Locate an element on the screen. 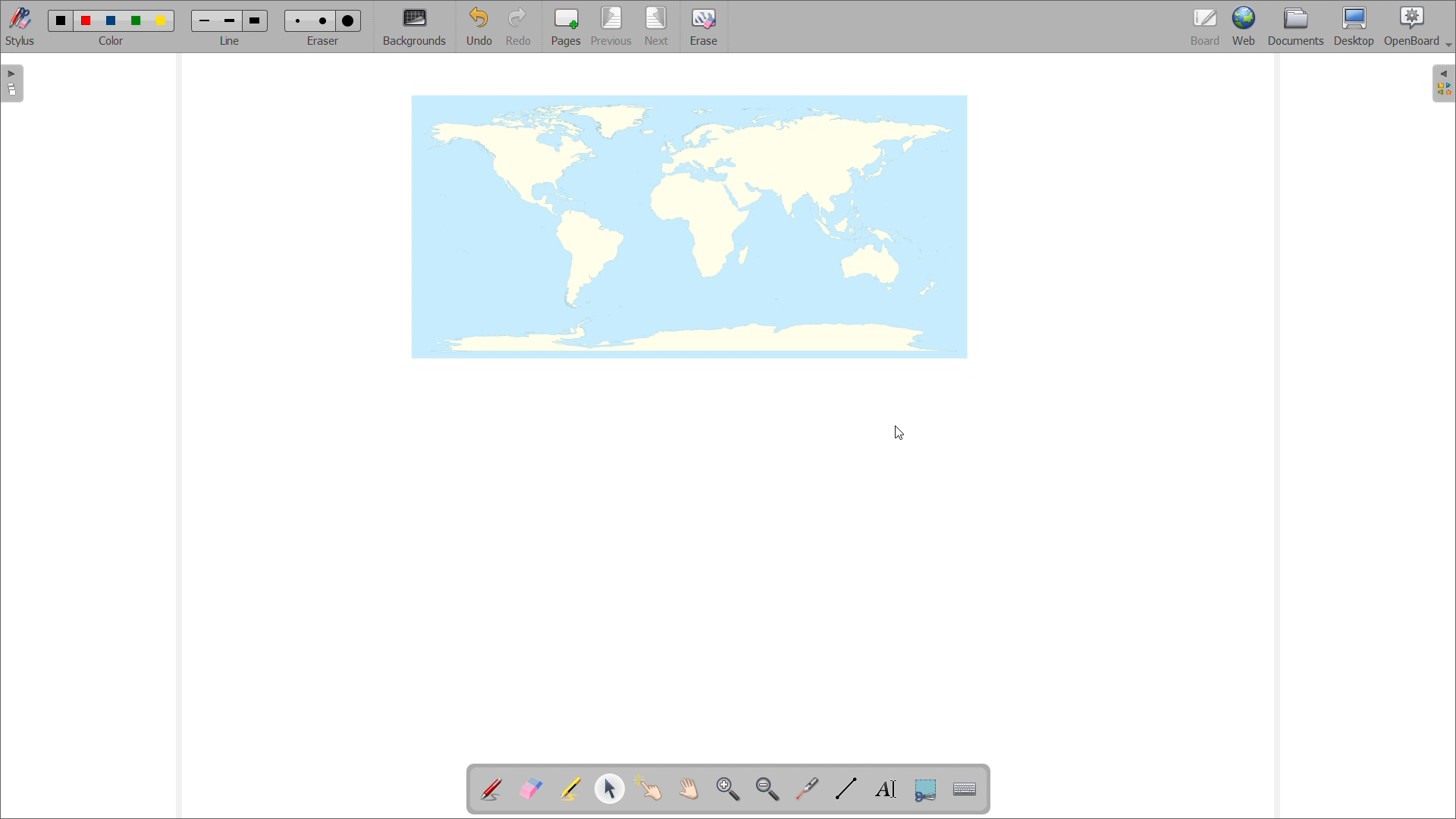  board is located at coordinates (1205, 27).